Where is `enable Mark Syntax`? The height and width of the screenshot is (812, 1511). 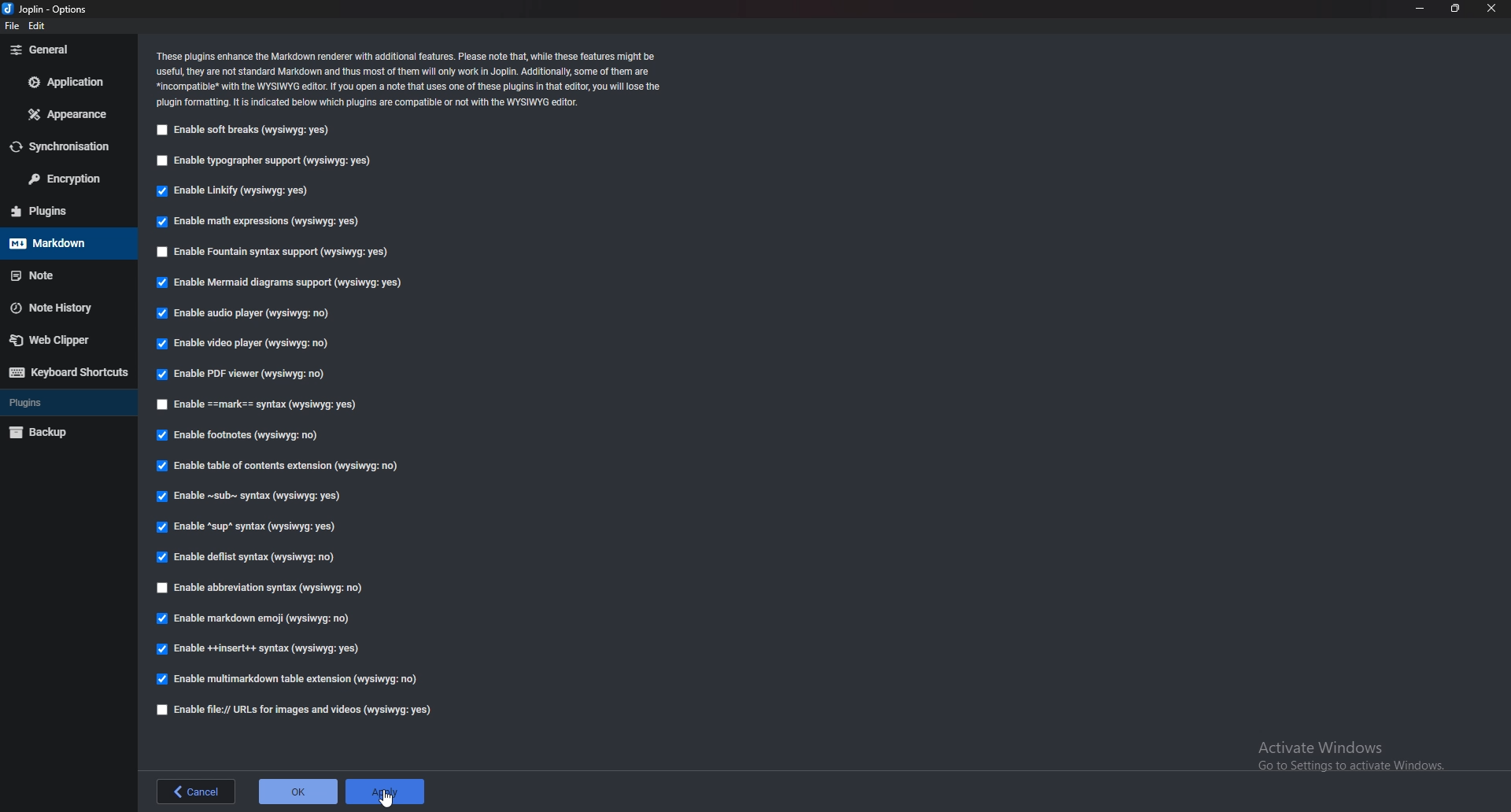
enable Mark Syntax is located at coordinates (268, 404).